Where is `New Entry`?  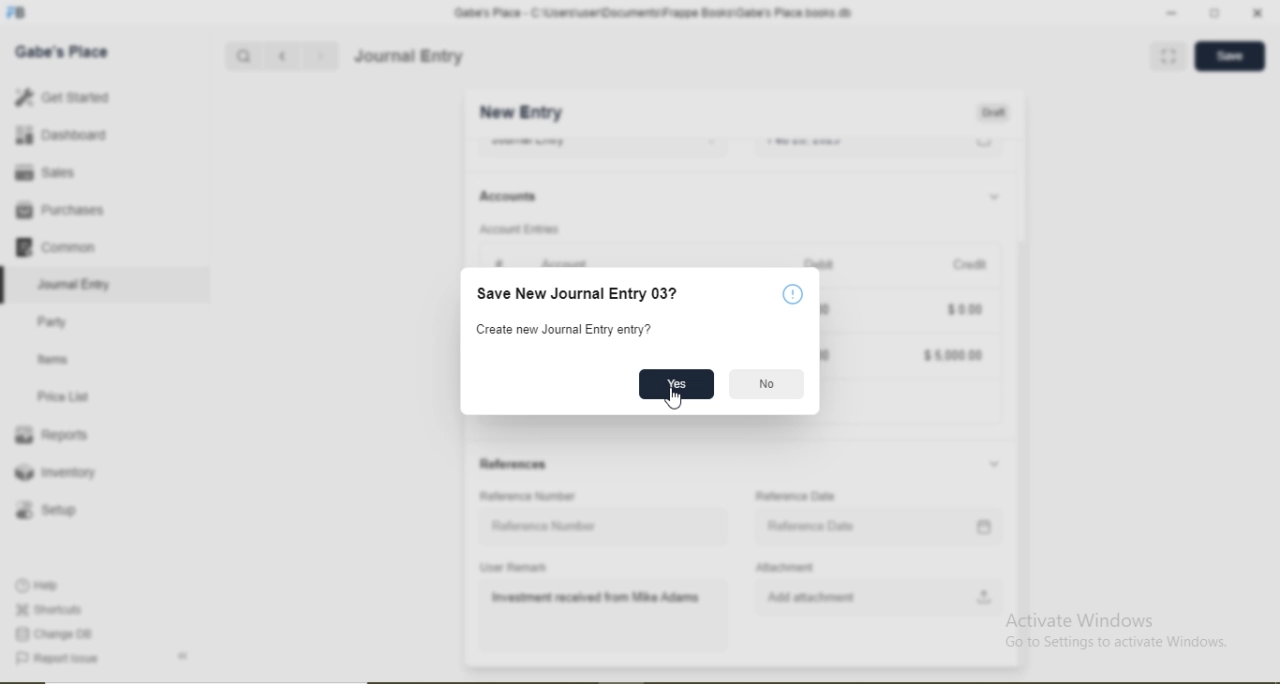
New Entry is located at coordinates (520, 113).